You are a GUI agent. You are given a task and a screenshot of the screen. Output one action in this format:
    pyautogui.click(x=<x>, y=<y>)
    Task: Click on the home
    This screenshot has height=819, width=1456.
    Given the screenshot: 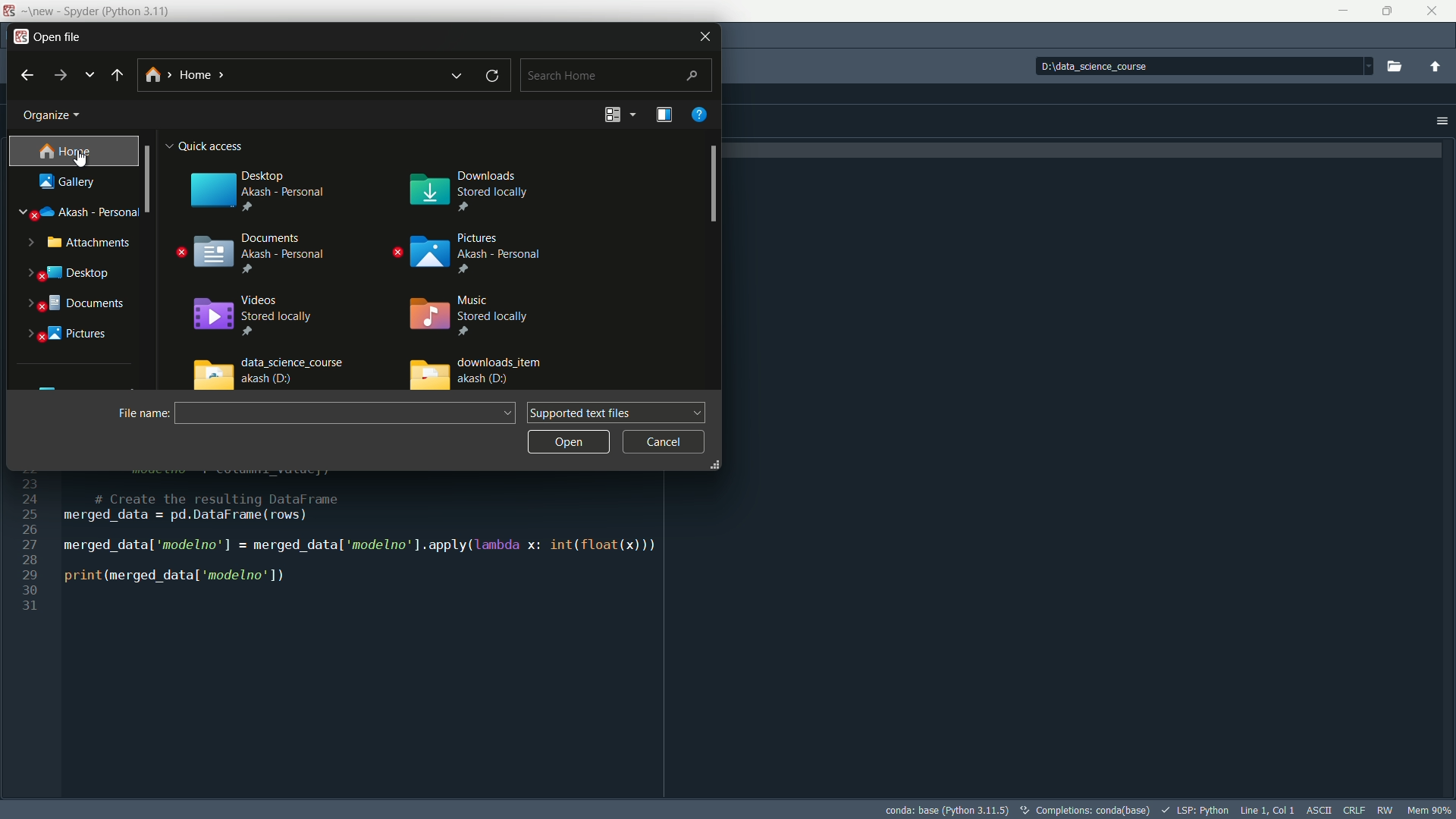 What is the action you would take?
    pyautogui.click(x=67, y=151)
    